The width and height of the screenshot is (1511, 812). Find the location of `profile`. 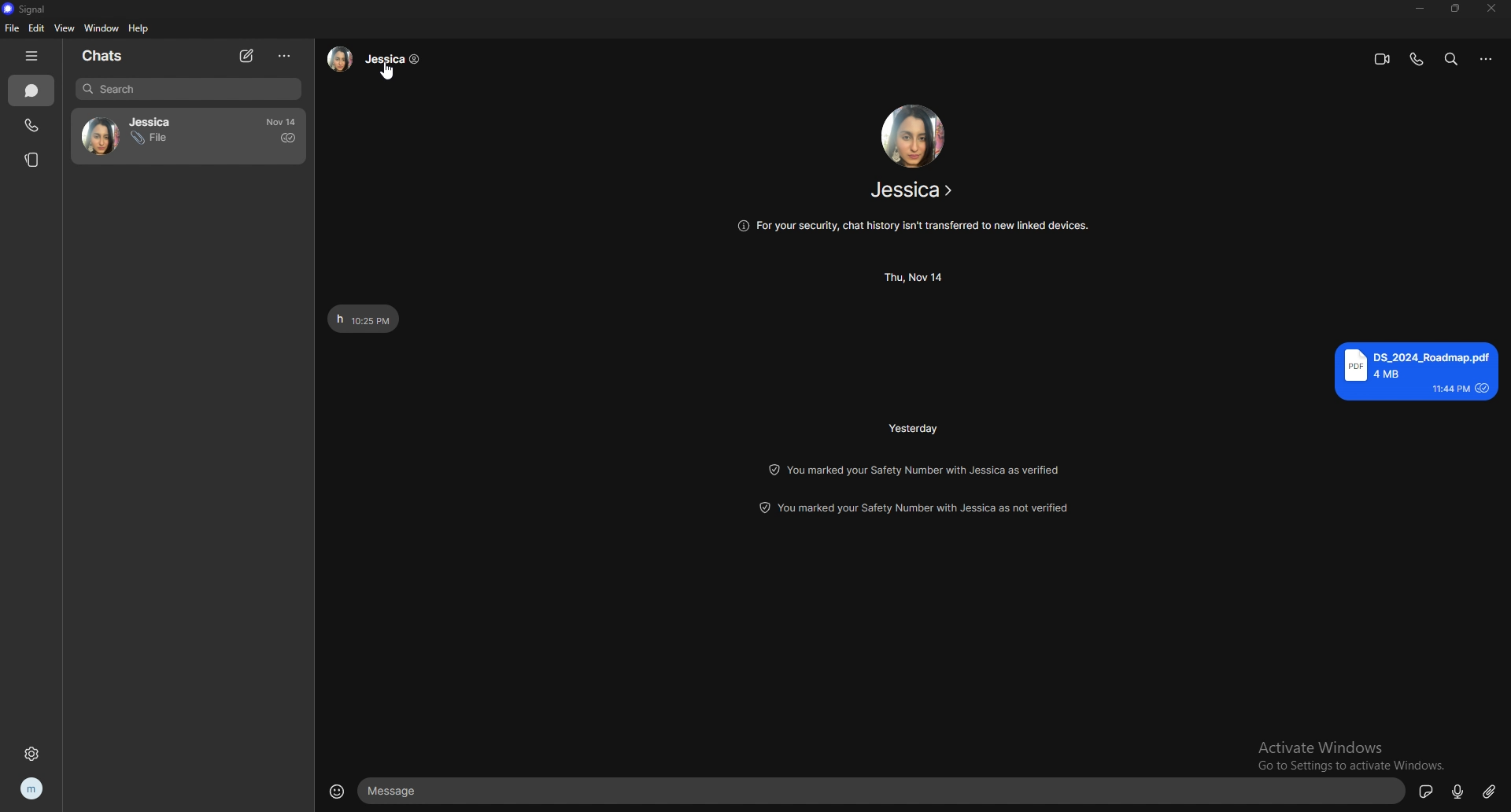

profile is located at coordinates (38, 789).